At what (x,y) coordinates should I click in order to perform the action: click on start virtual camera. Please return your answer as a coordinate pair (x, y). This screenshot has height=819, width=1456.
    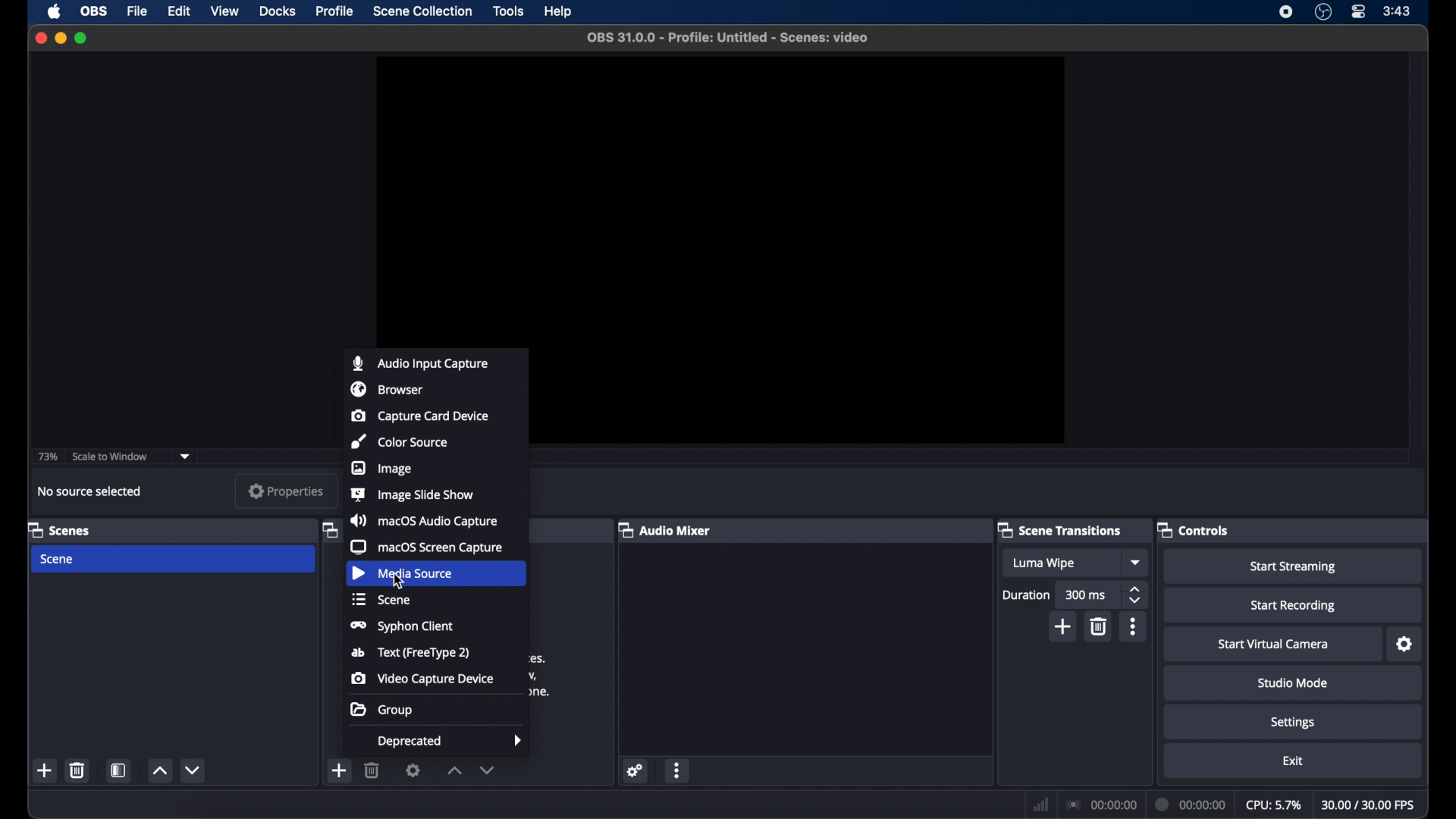
    Looking at the image, I should click on (1272, 645).